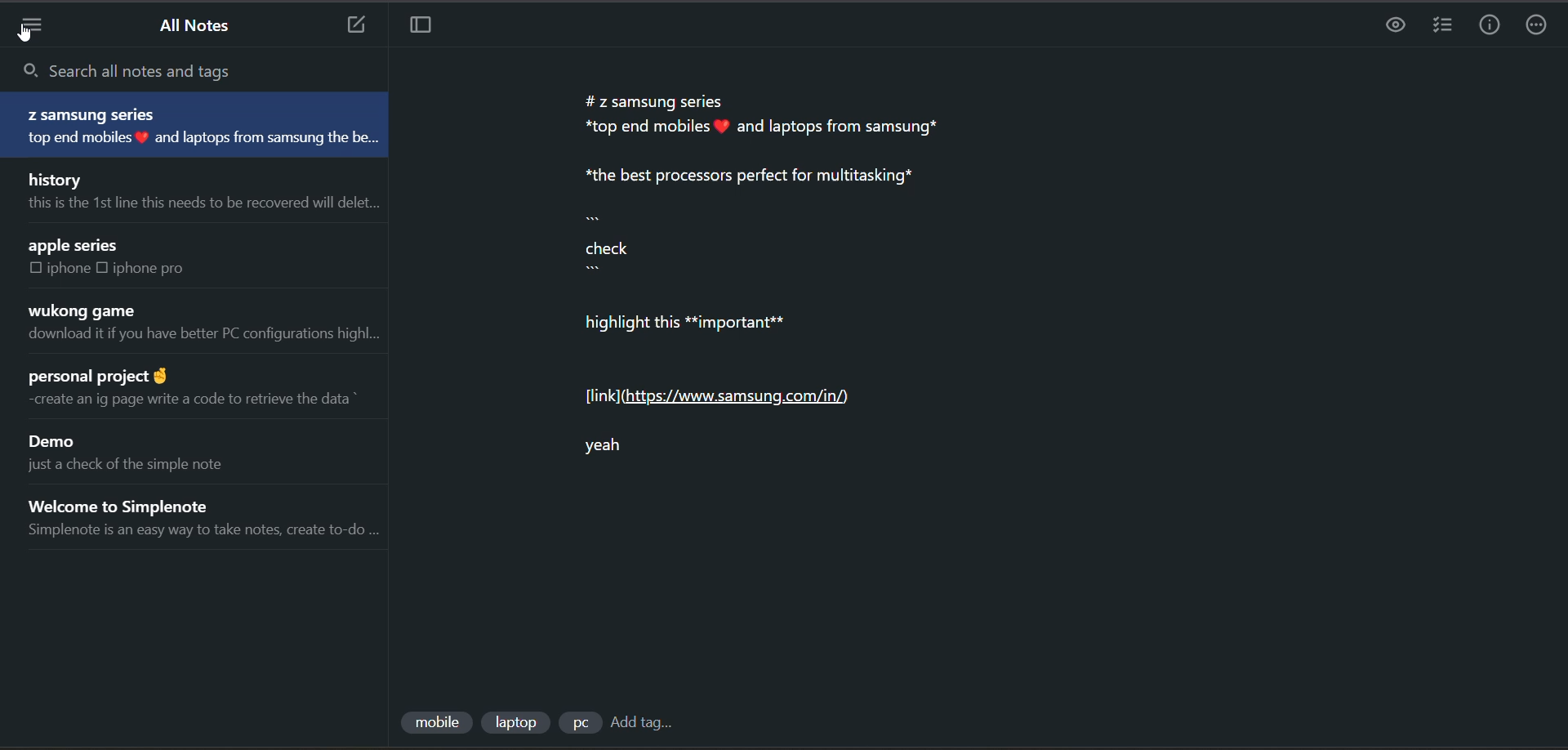 The height and width of the screenshot is (750, 1568). What do you see at coordinates (1439, 26) in the screenshot?
I see `insert checklist` at bounding box center [1439, 26].